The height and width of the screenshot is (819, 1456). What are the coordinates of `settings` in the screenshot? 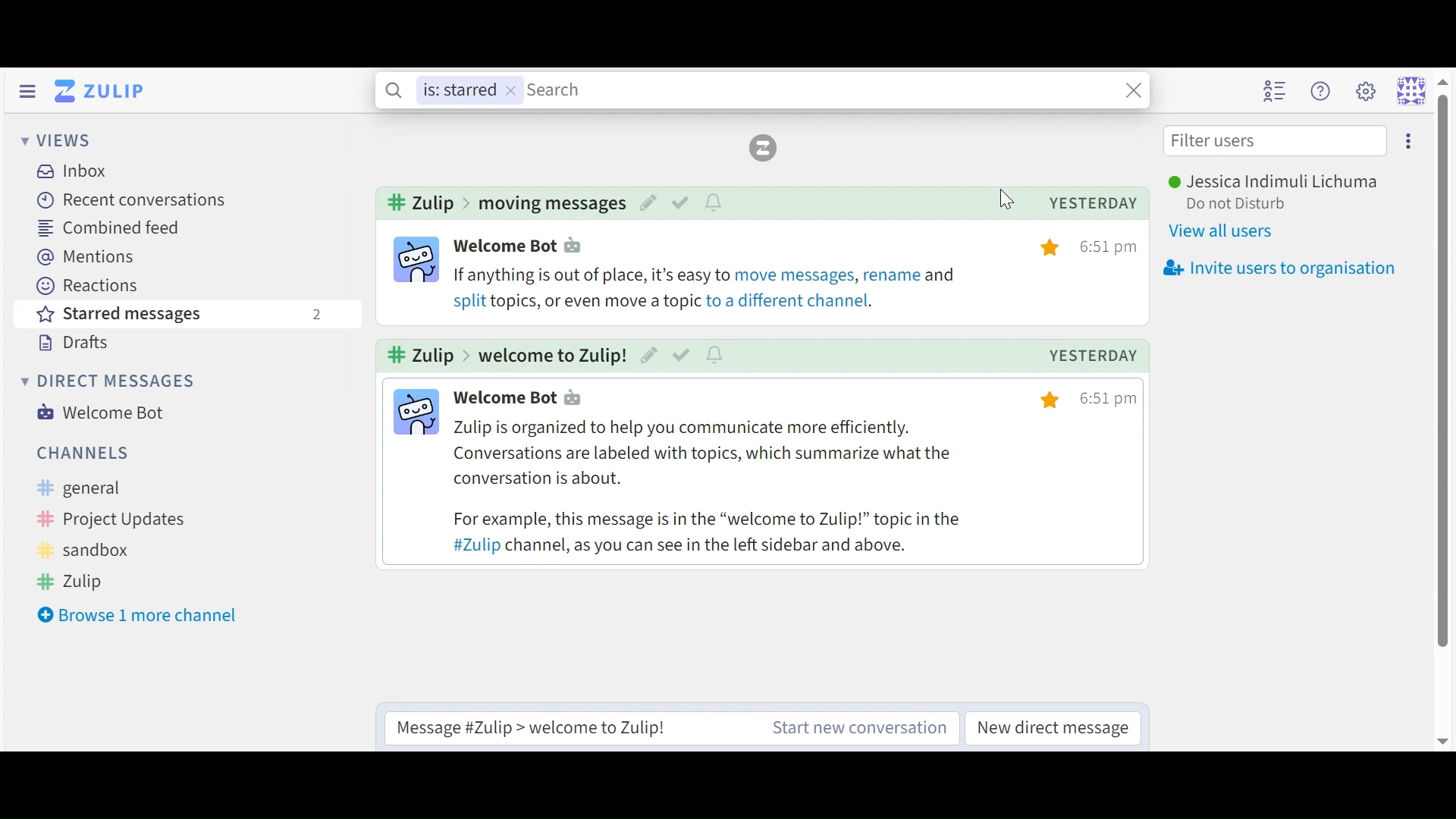 It's located at (1409, 142).